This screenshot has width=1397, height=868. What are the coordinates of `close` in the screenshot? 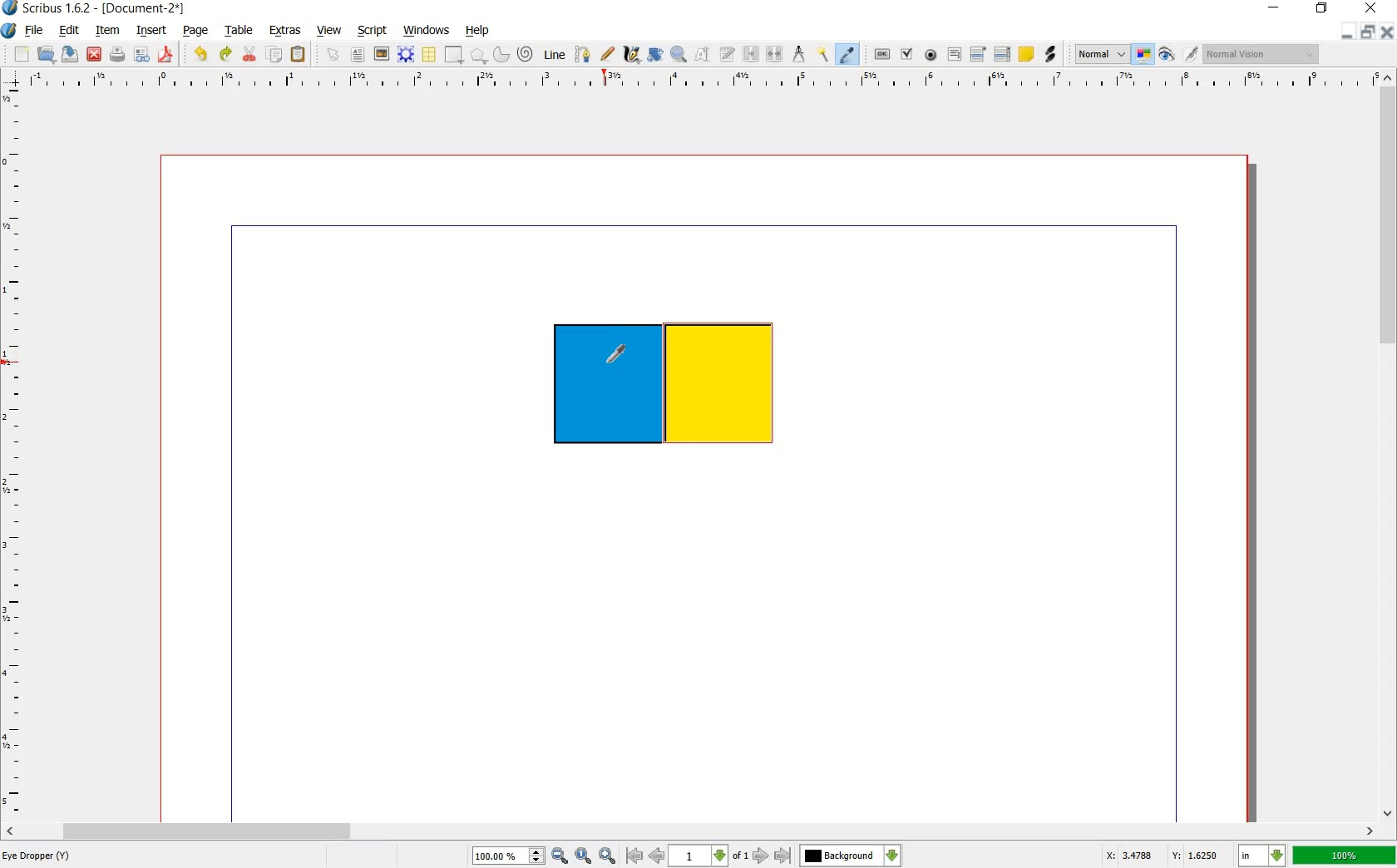 It's located at (94, 54).